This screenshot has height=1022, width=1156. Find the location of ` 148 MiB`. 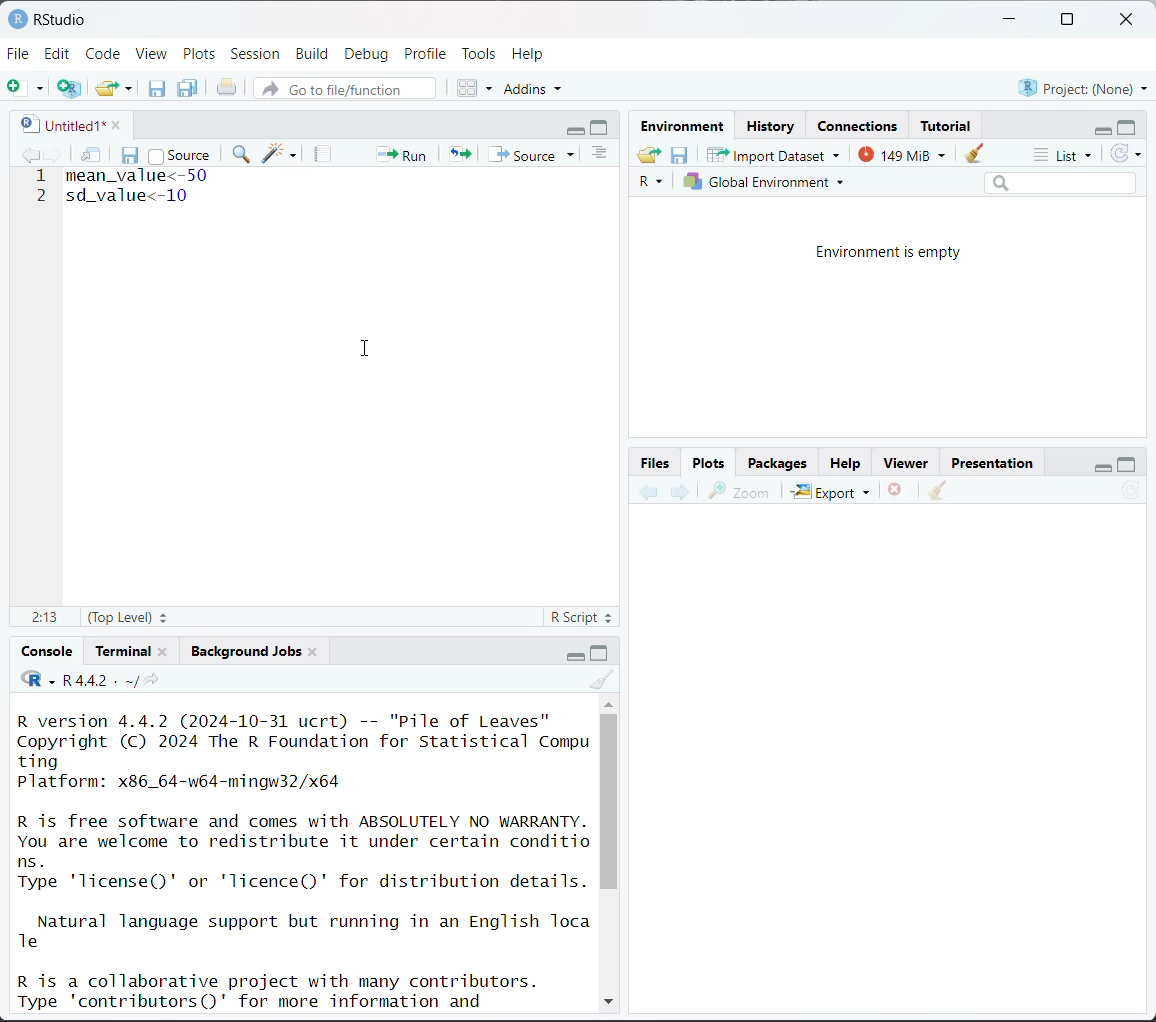

 148 MiB is located at coordinates (899, 153).